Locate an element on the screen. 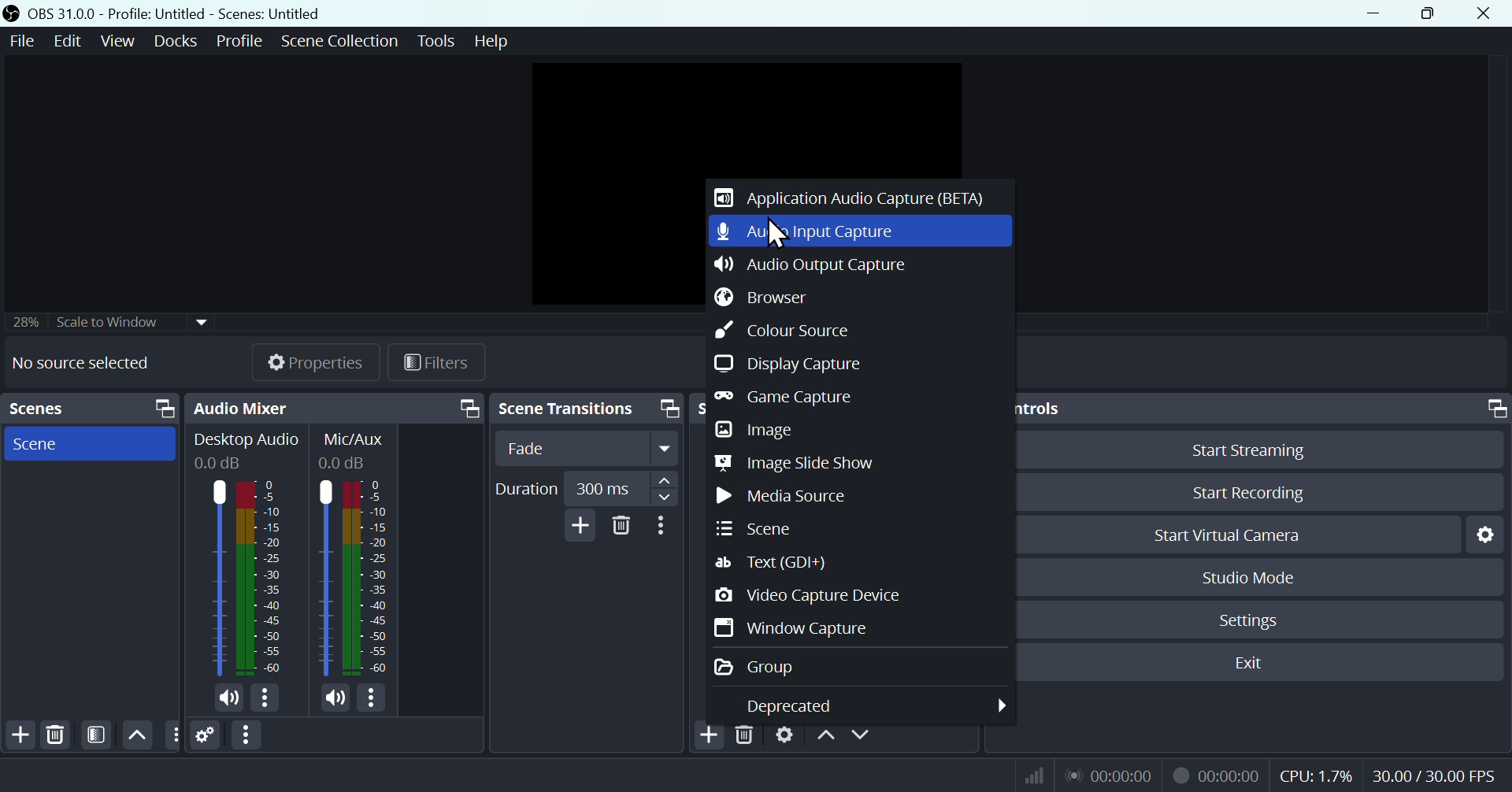  Settings is located at coordinates (1252, 620).